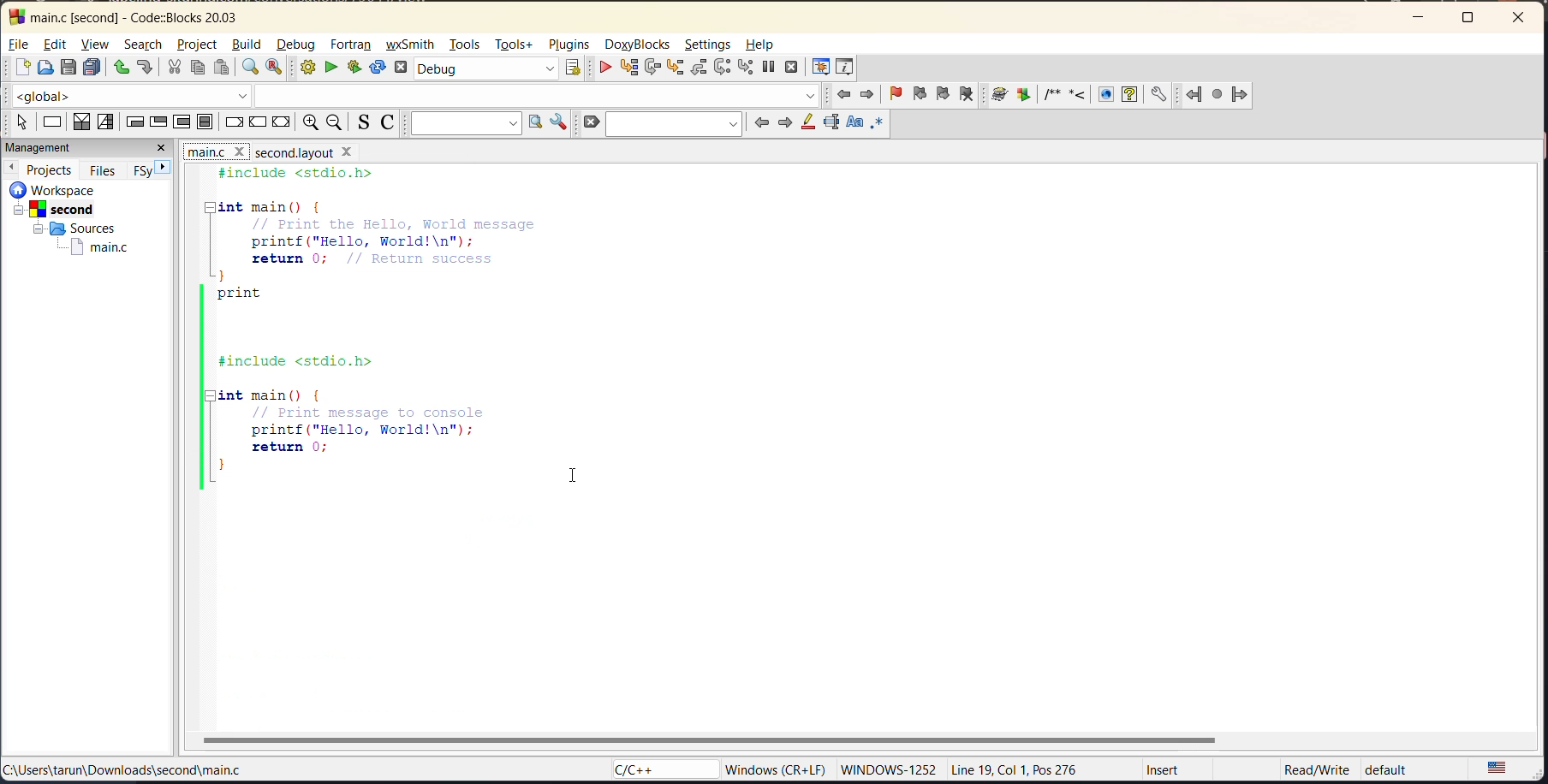 The height and width of the screenshot is (784, 1548). What do you see at coordinates (142, 170) in the screenshot?
I see `FSy` at bounding box center [142, 170].